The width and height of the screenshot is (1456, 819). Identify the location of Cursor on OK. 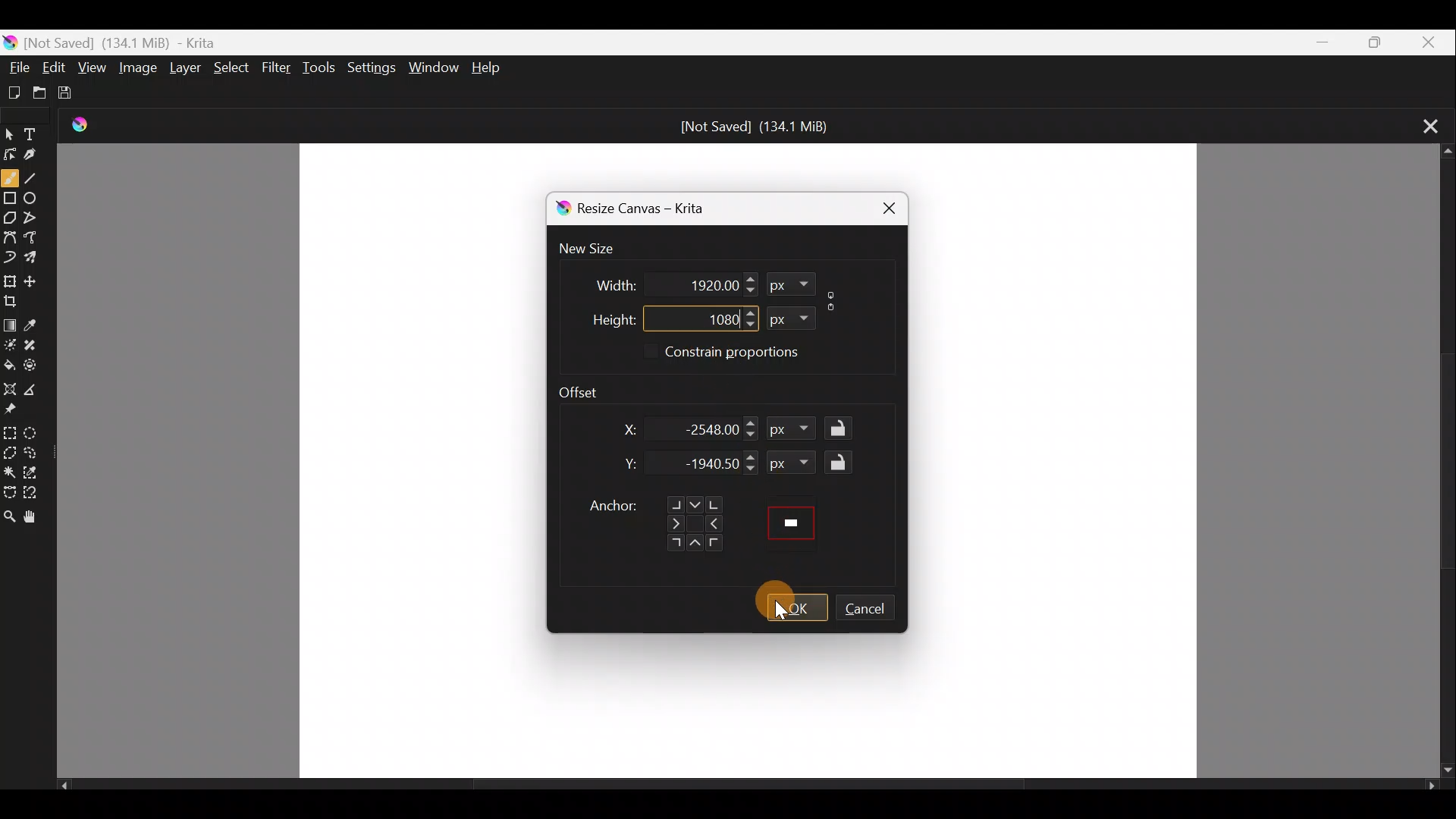
(778, 604).